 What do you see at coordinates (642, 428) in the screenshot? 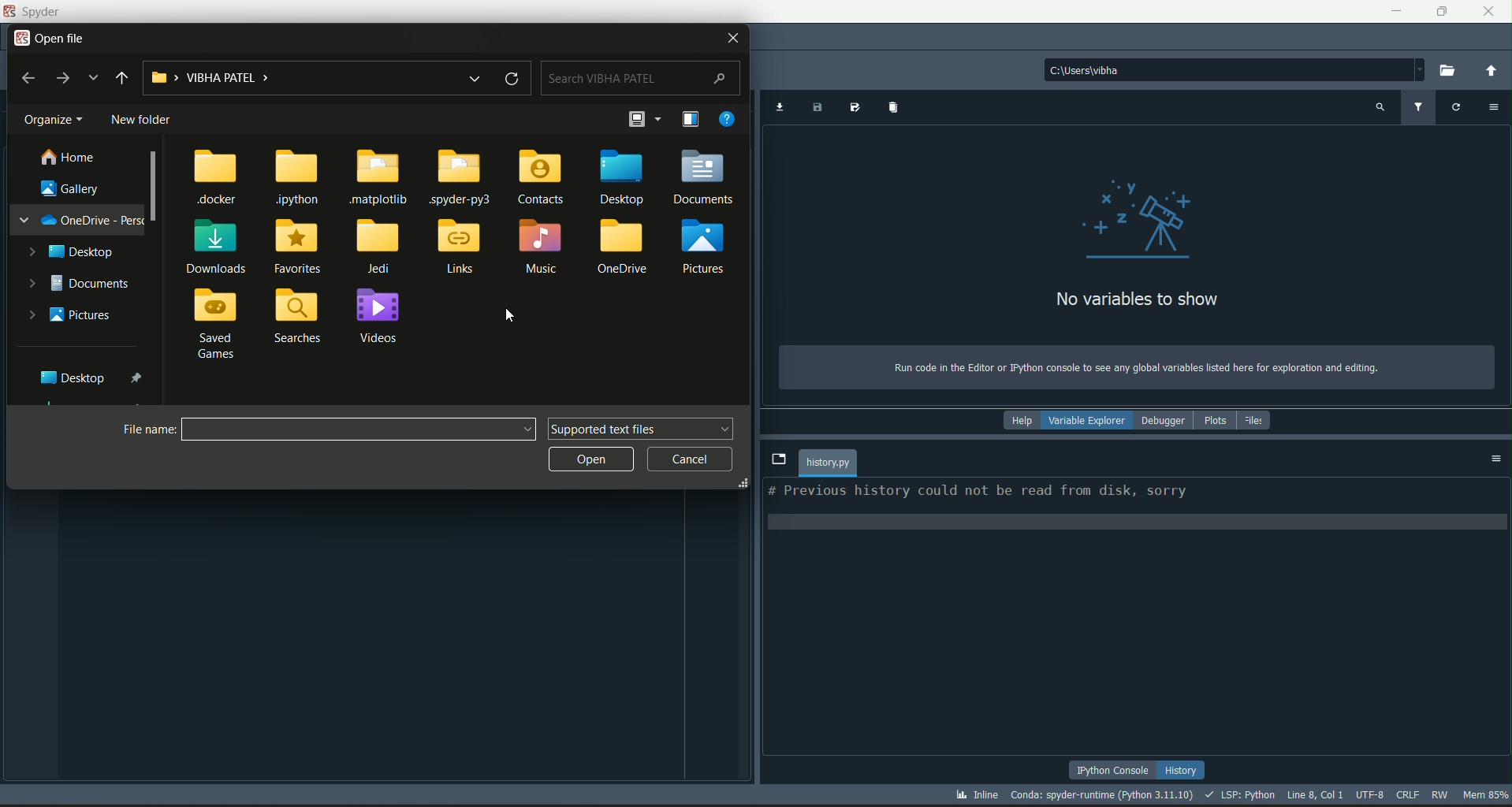
I see `supported text files` at bounding box center [642, 428].